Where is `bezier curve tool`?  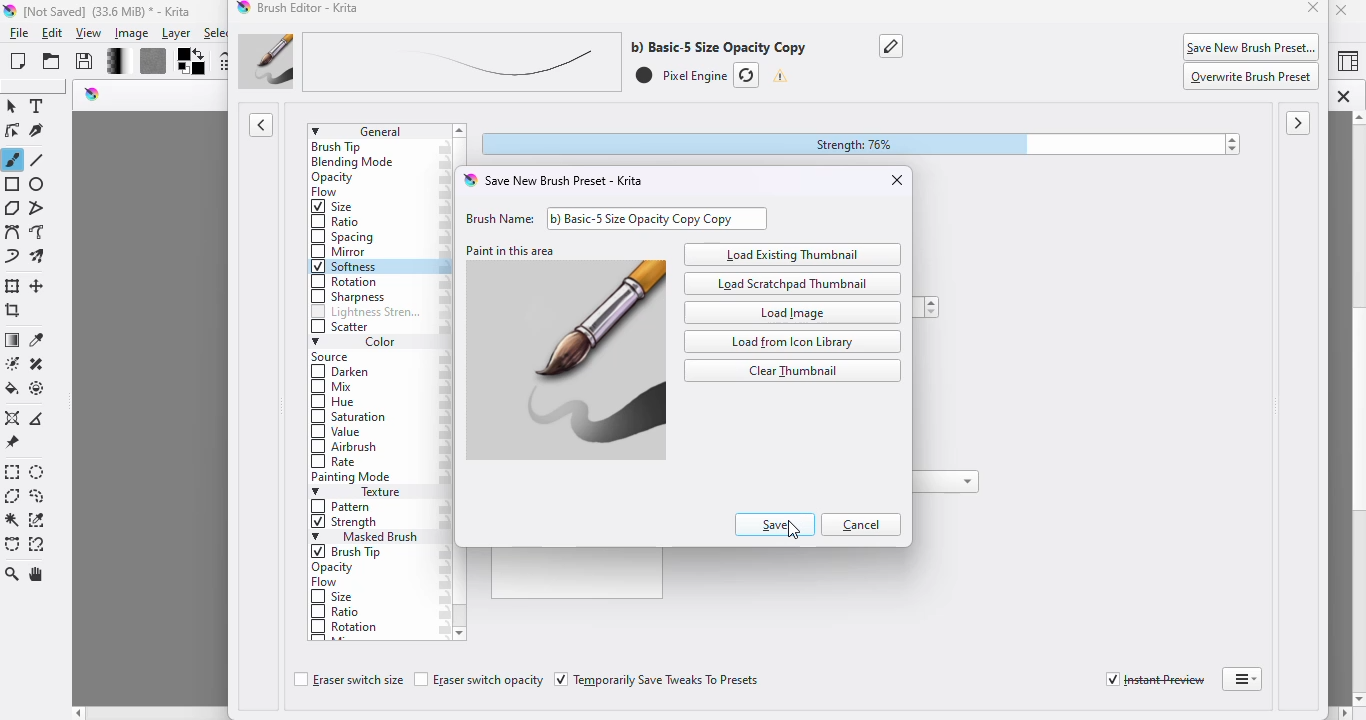 bezier curve tool is located at coordinates (12, 232).